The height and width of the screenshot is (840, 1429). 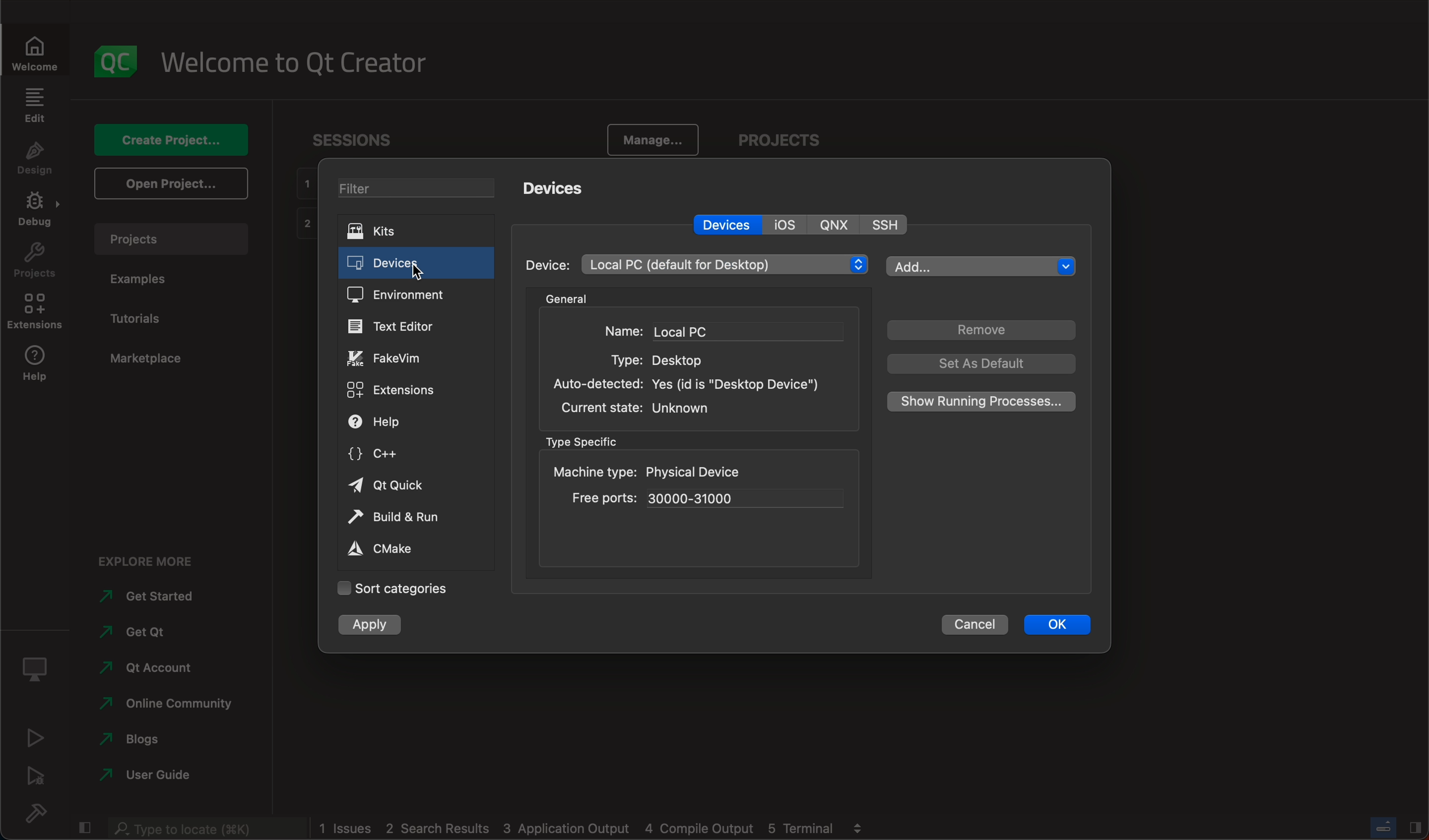 I want to click on Machine type: Physical Device Free ports: 30000-31000, so click(x=697, y=487).